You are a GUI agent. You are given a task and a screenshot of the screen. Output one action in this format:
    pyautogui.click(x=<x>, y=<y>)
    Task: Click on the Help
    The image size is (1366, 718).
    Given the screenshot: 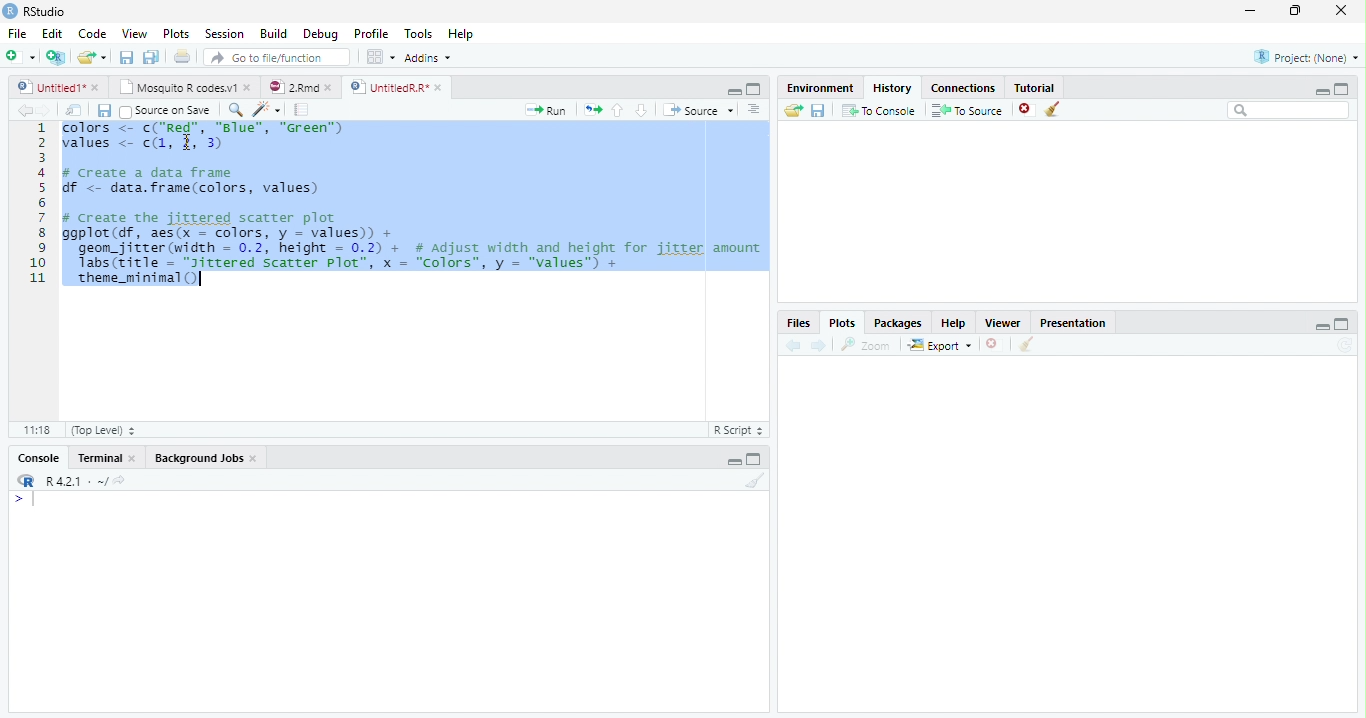 What is the action you would take?
    pyautogui.click(x=461, y=33)
    